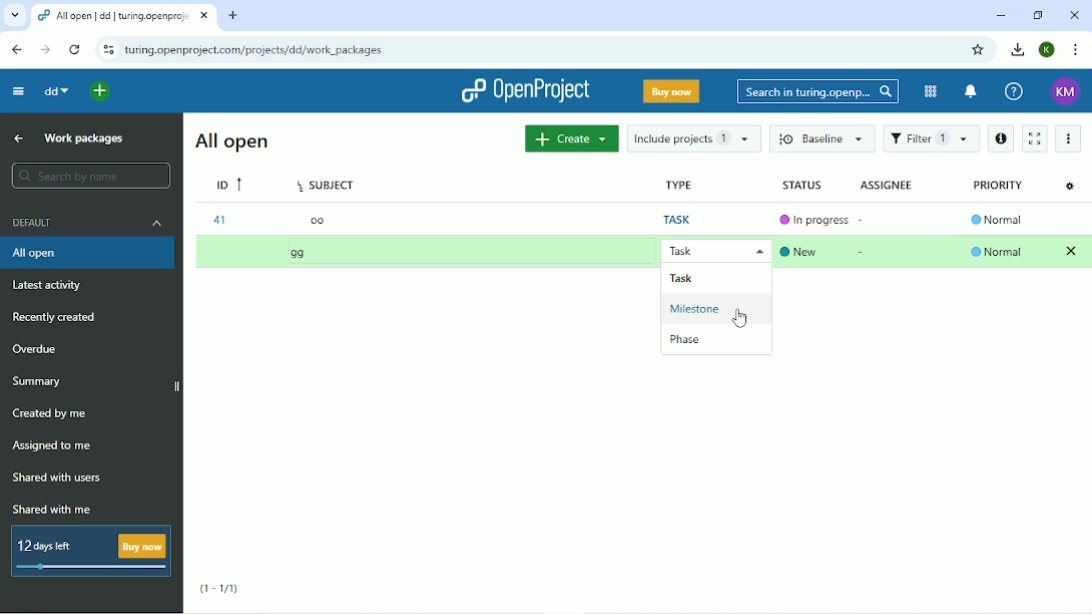  Describe the element at coordinates (1074, 14) in the screenshot. I see `Close` at that location.